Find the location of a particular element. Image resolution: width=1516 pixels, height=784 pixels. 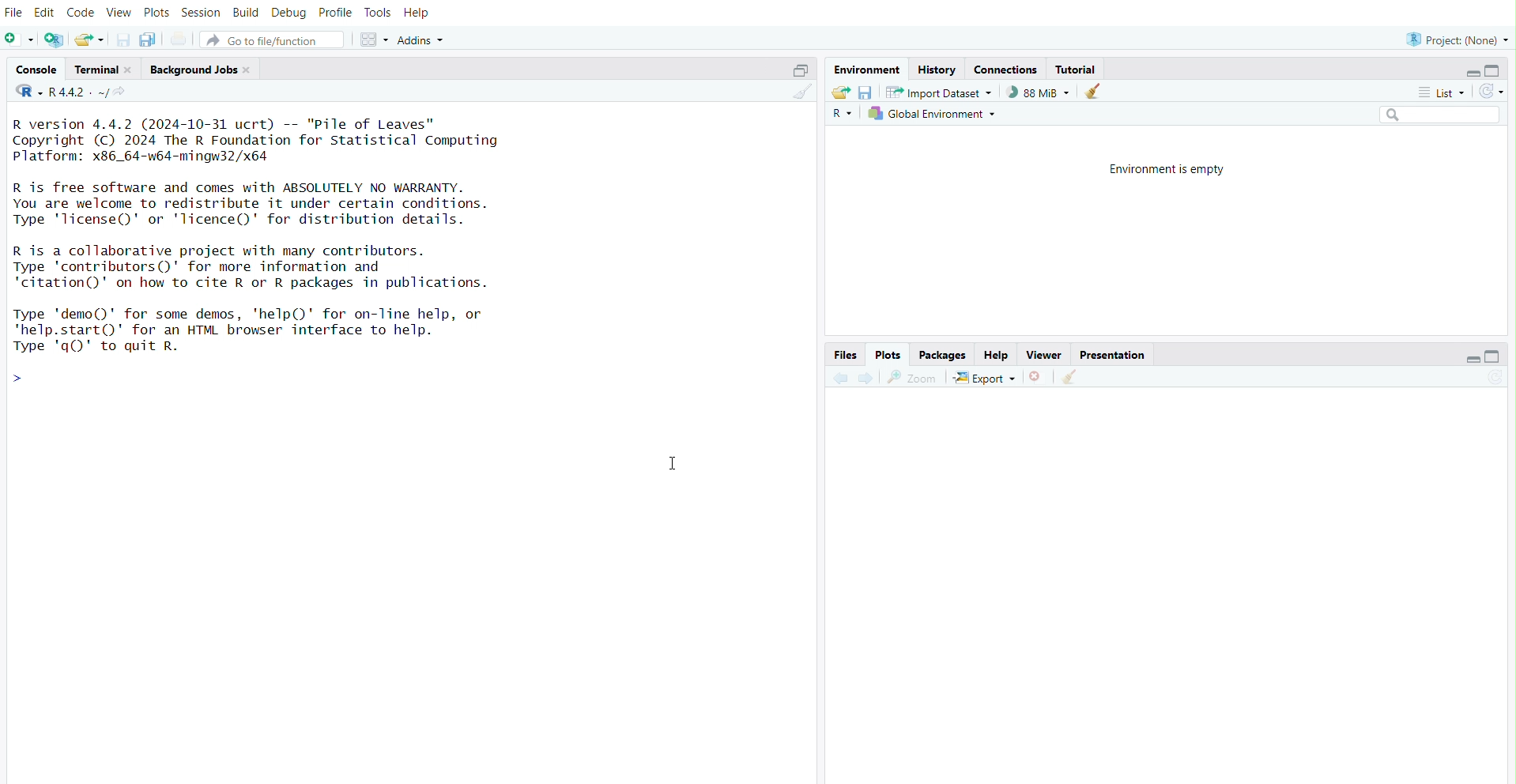

tools is located at coordinates (379, 10).